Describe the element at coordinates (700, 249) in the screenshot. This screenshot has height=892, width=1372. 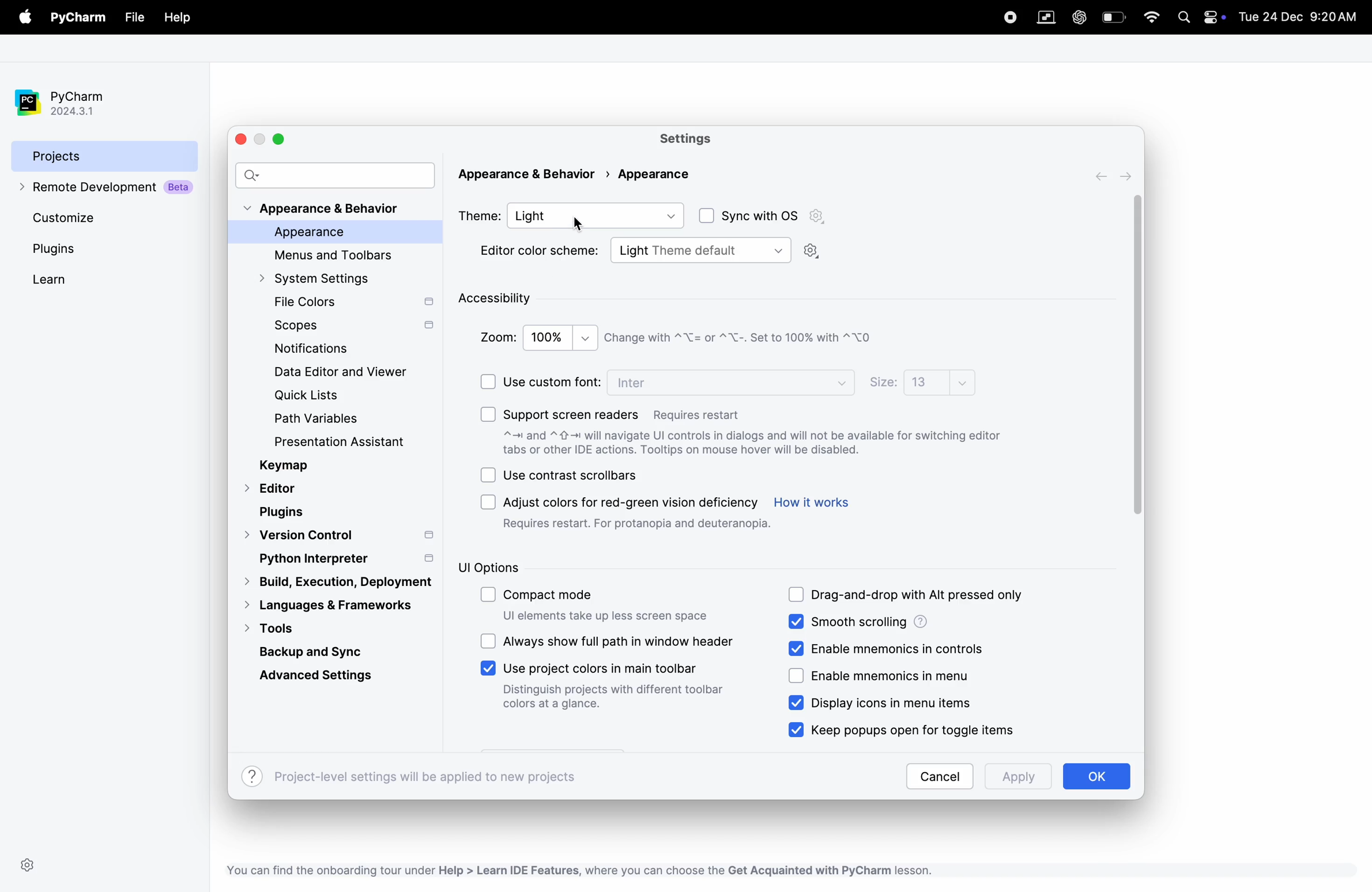
I see `light theme default` at that location.